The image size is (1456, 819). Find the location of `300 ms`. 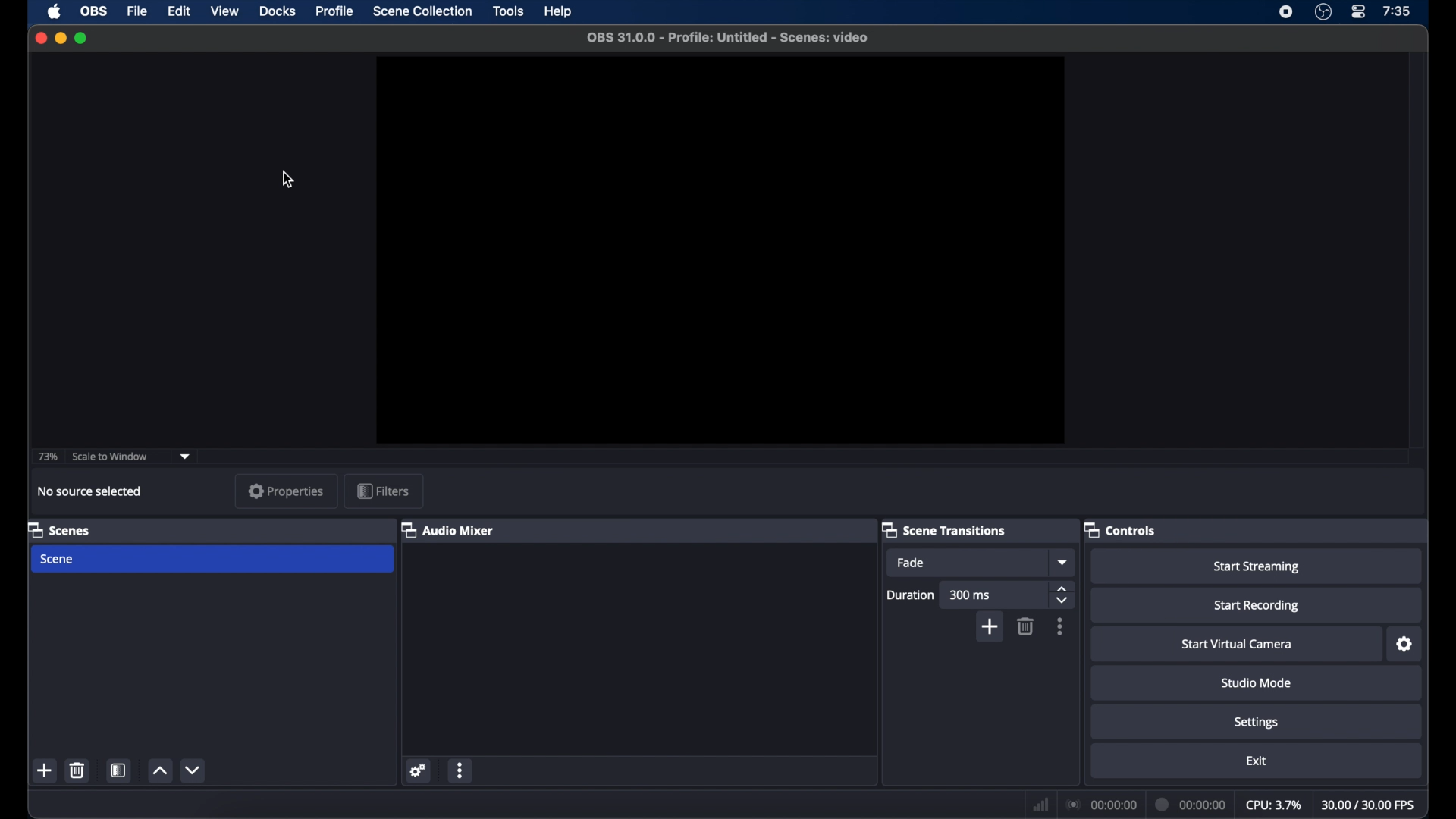

300 ms is located at coordinates (993, 595).